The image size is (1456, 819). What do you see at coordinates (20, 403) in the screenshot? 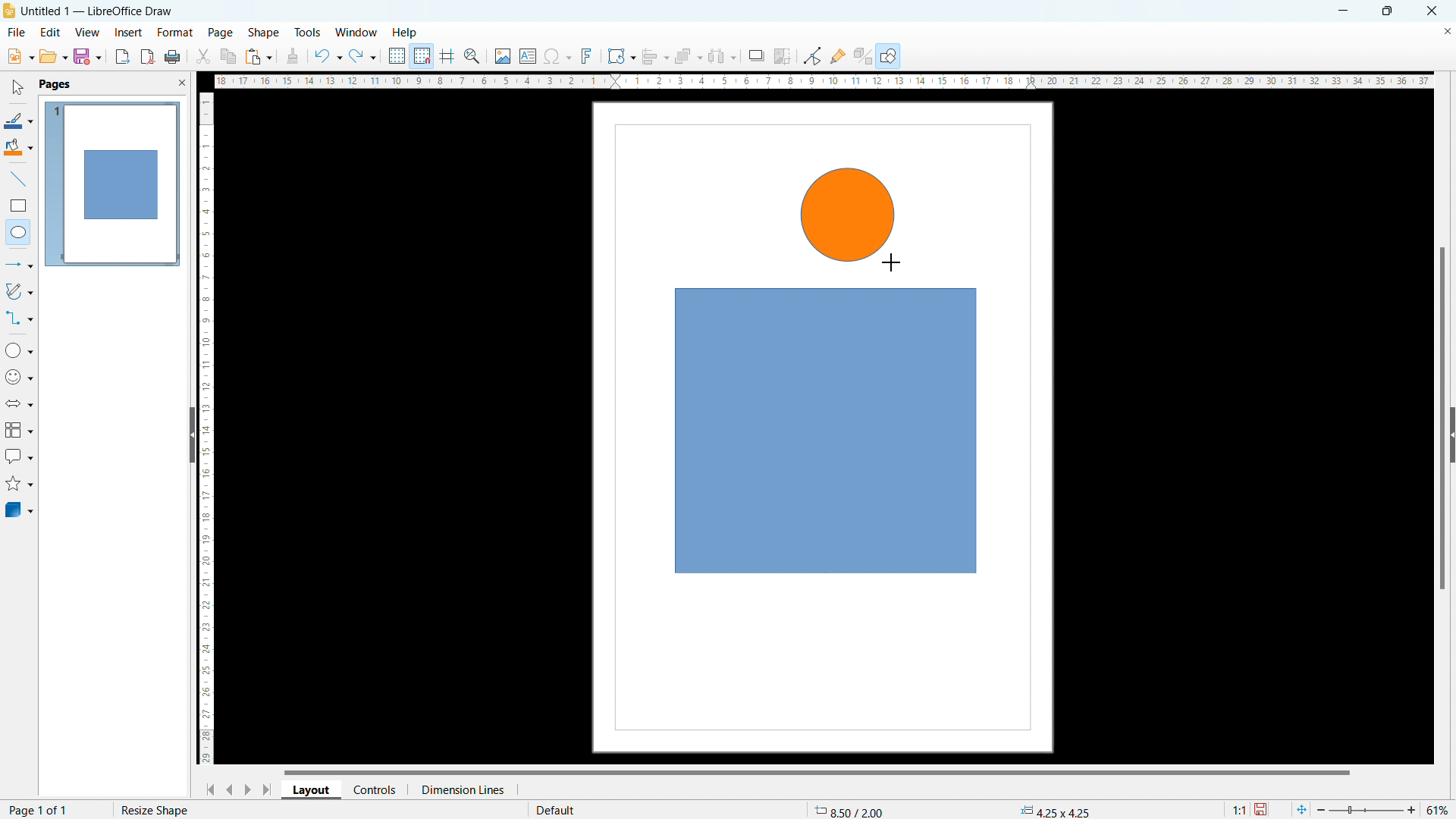
I see `block arrows` at bounding box center [20, 403].